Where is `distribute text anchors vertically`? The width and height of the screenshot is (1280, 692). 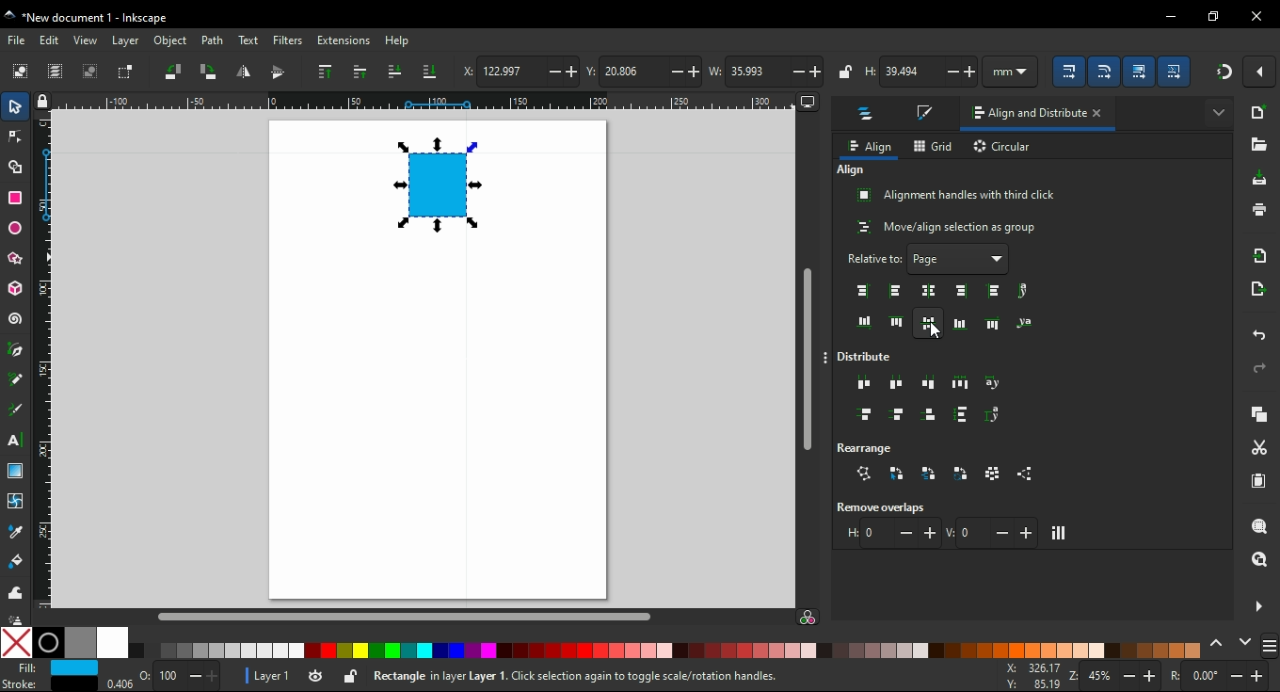
distribute text anchors vertically is located at coordinates (998, 415).